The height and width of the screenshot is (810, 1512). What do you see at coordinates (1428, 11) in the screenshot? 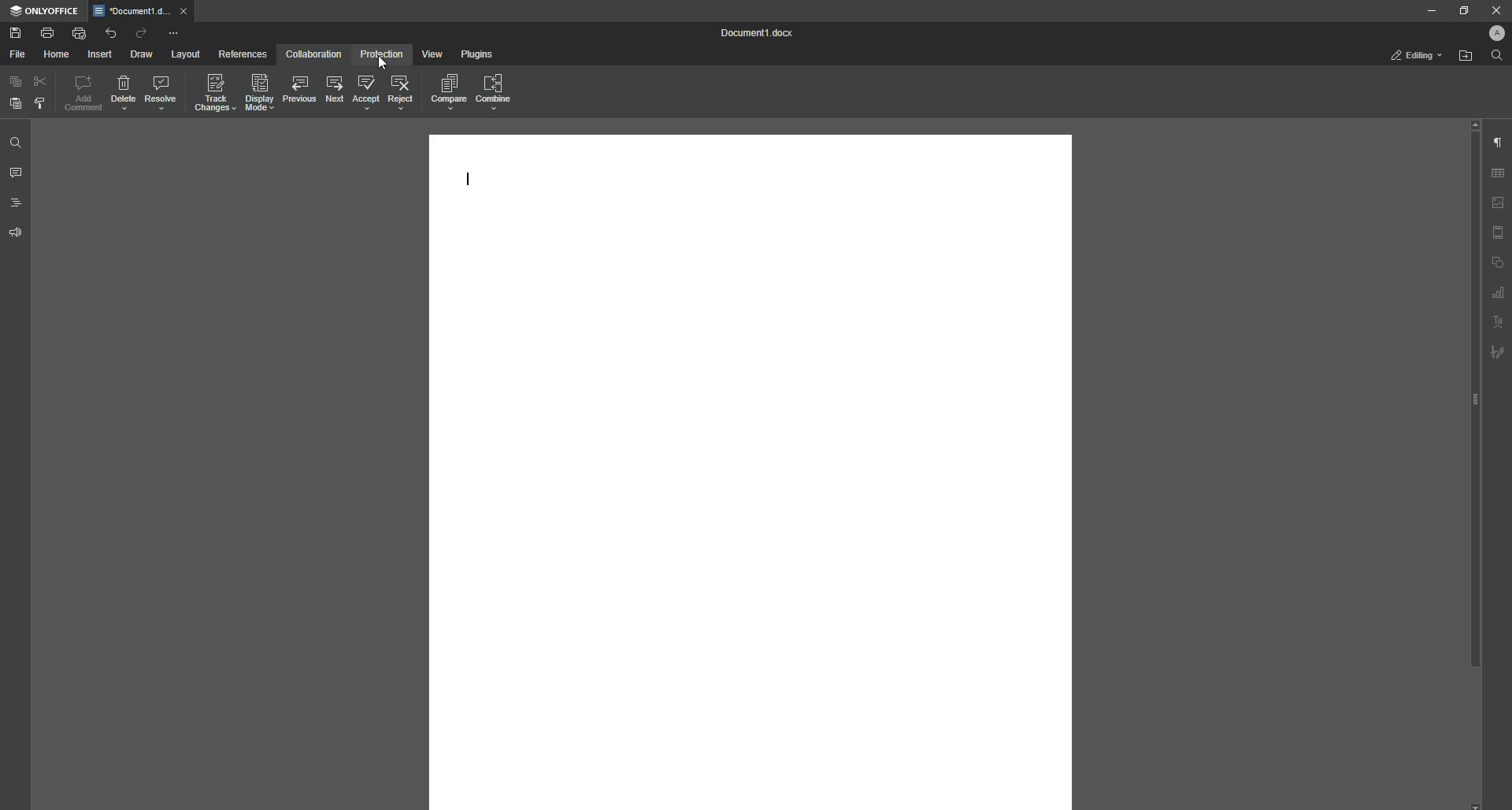
I see `Minimize` at bounding box center [1428, 11].